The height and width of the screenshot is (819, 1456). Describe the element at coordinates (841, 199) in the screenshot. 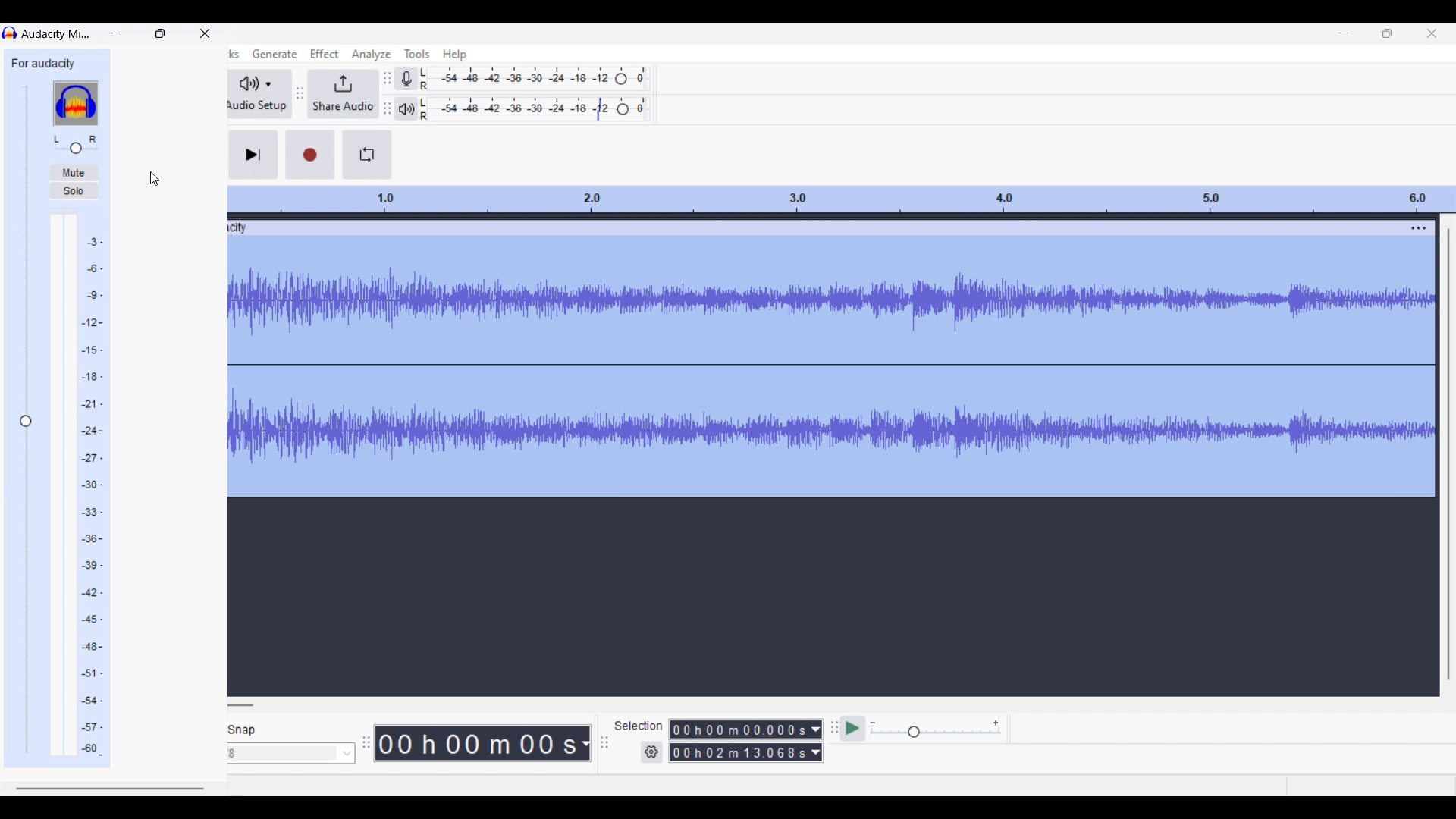

I see `Scale to measure length of track` at that location.